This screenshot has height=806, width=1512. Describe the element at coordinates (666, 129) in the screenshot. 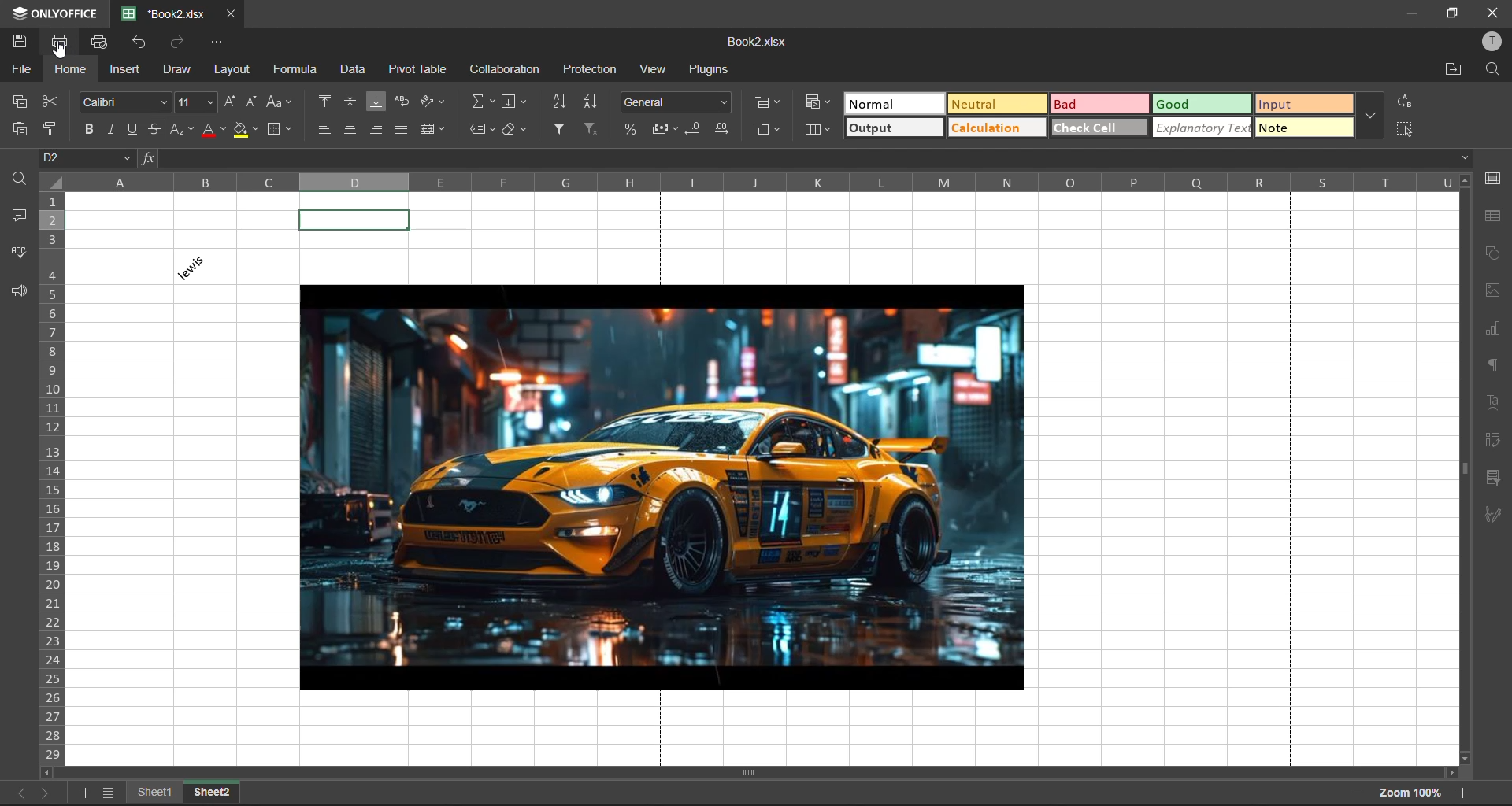

I see `accounting` at that location.